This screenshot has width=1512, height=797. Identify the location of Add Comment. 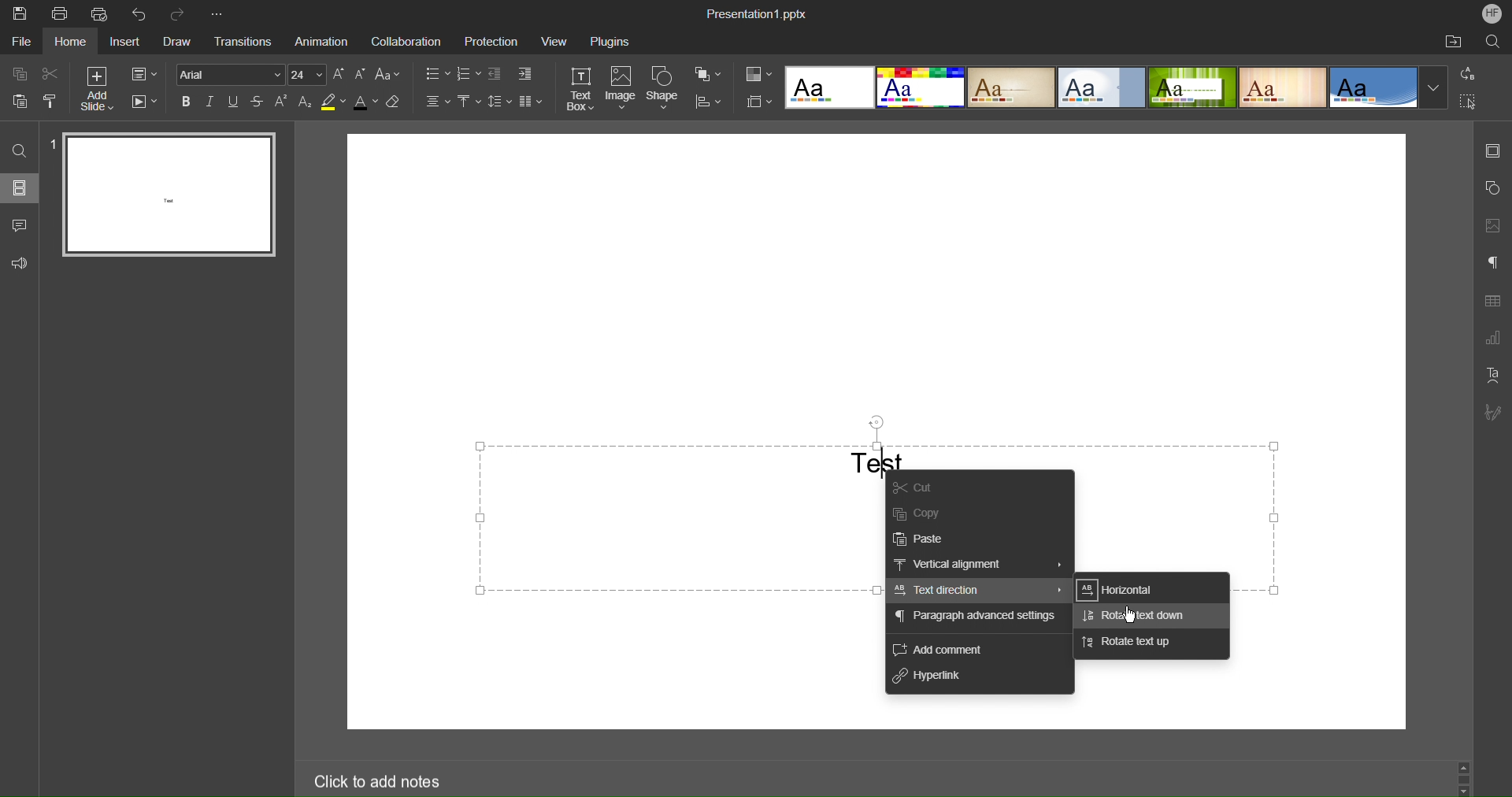
(938, 650).